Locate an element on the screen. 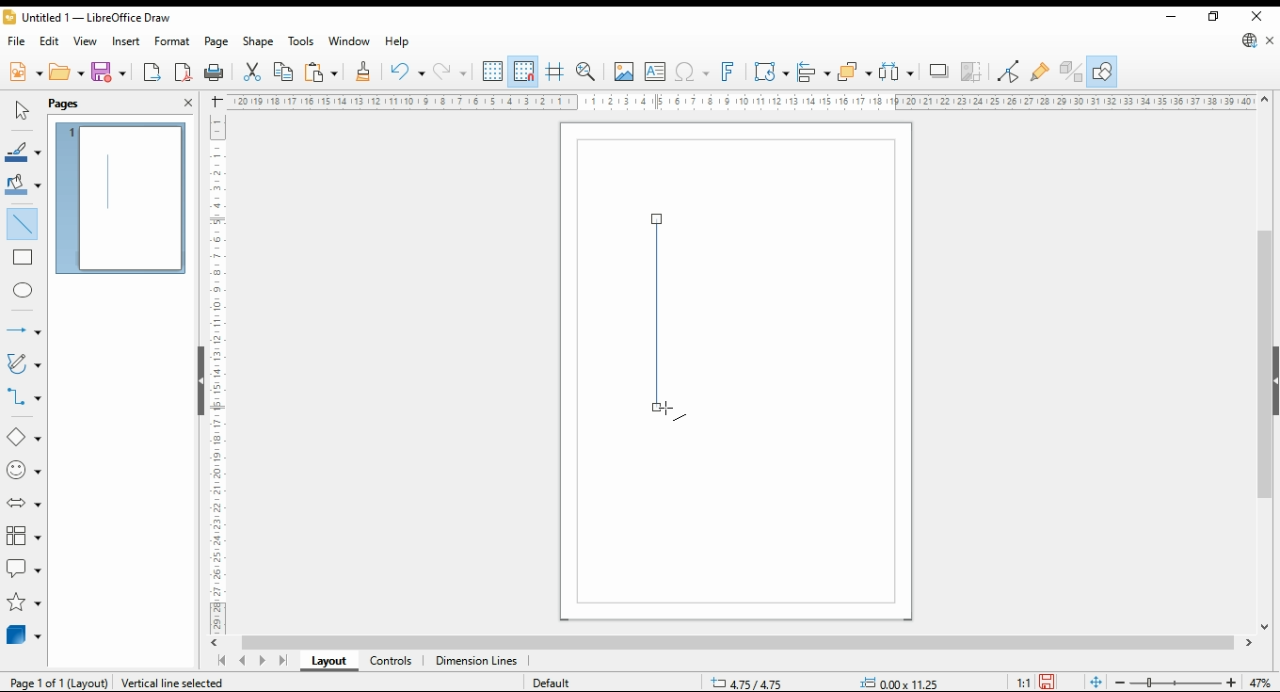 The width and height of the screenshot is (1280, 692). crop is located at coordinates (974, 72).